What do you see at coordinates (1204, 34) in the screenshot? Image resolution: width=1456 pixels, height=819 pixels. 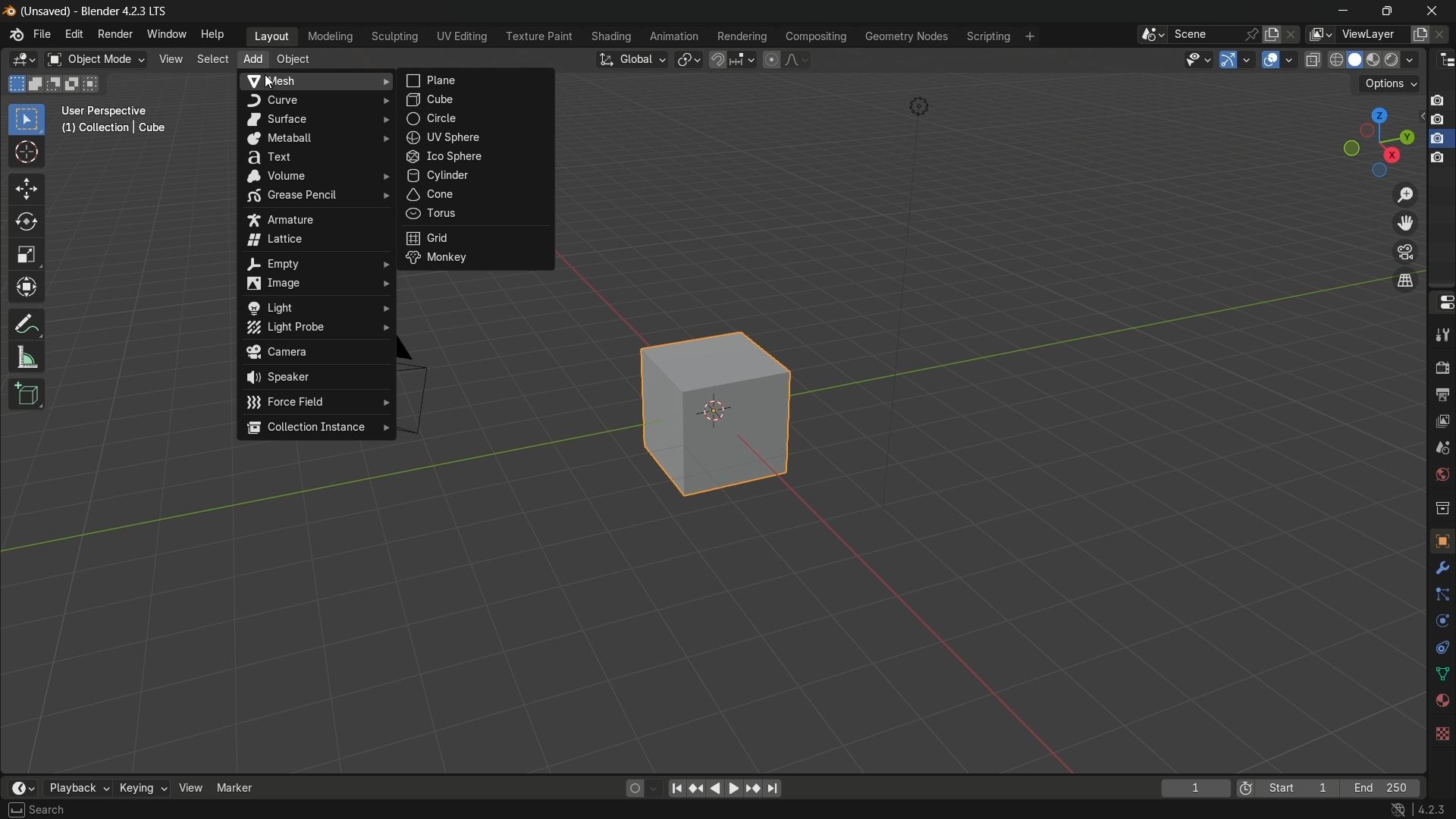 I see `scene` at bounding box center [1204, 34].